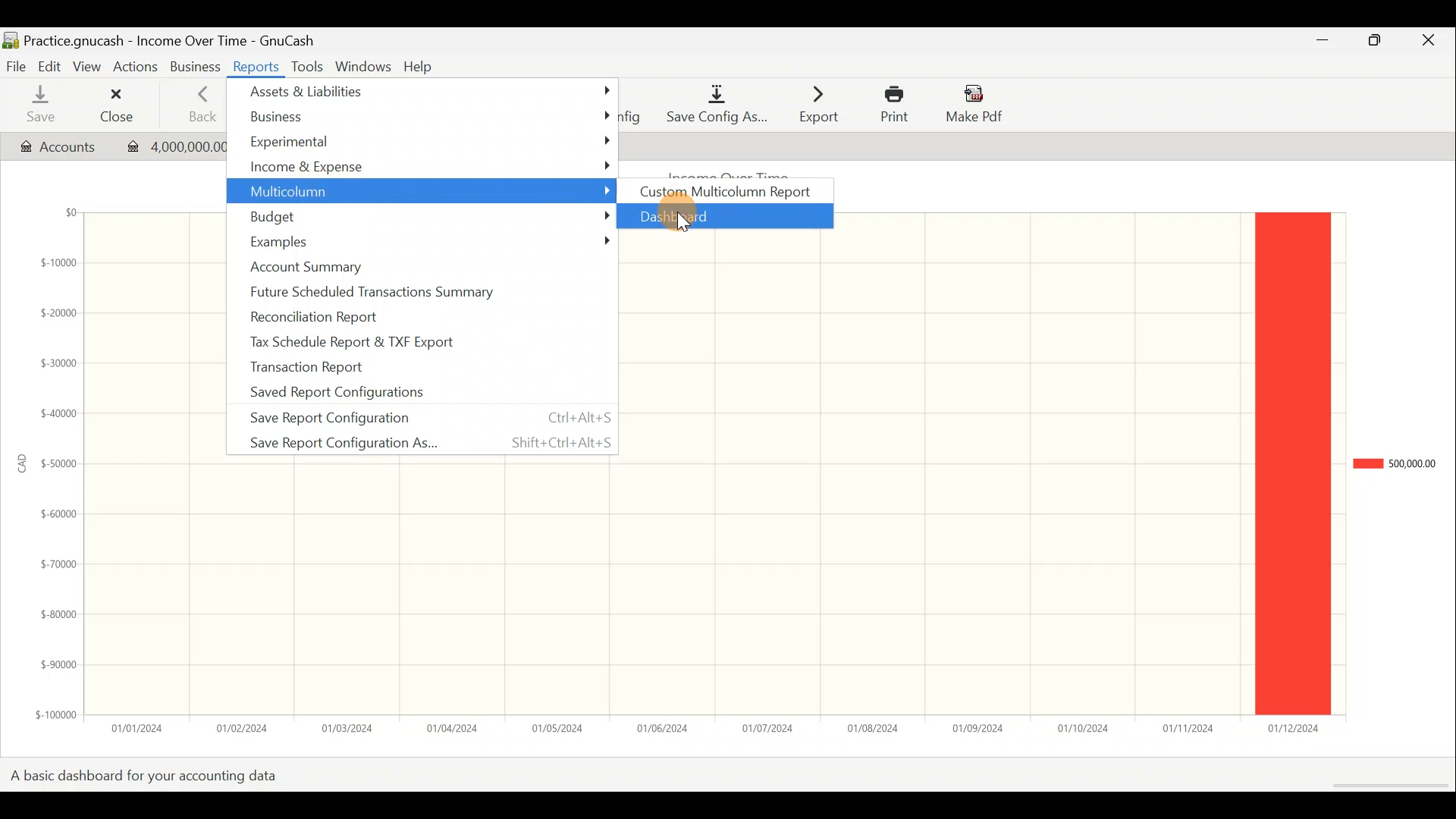 The width and height of the screenshot is (1456, 819). Describe the element at coordinates (202, 102) in the screenshot. I see `Back` at that location.